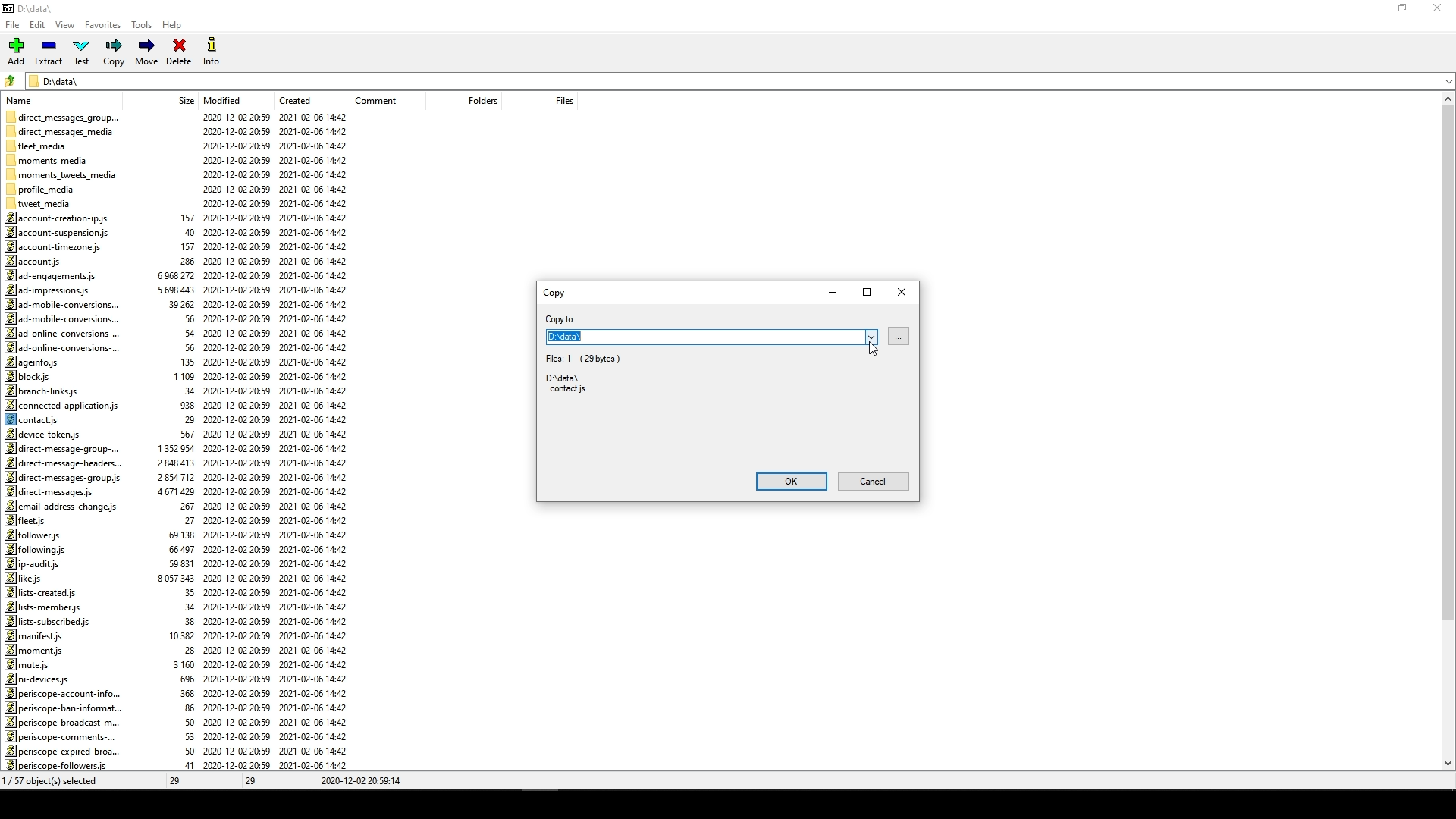 Image resolution: width=1456 pixels, height=819 pixels. I want to click on direct-messages-group.js, so click(64, 479).